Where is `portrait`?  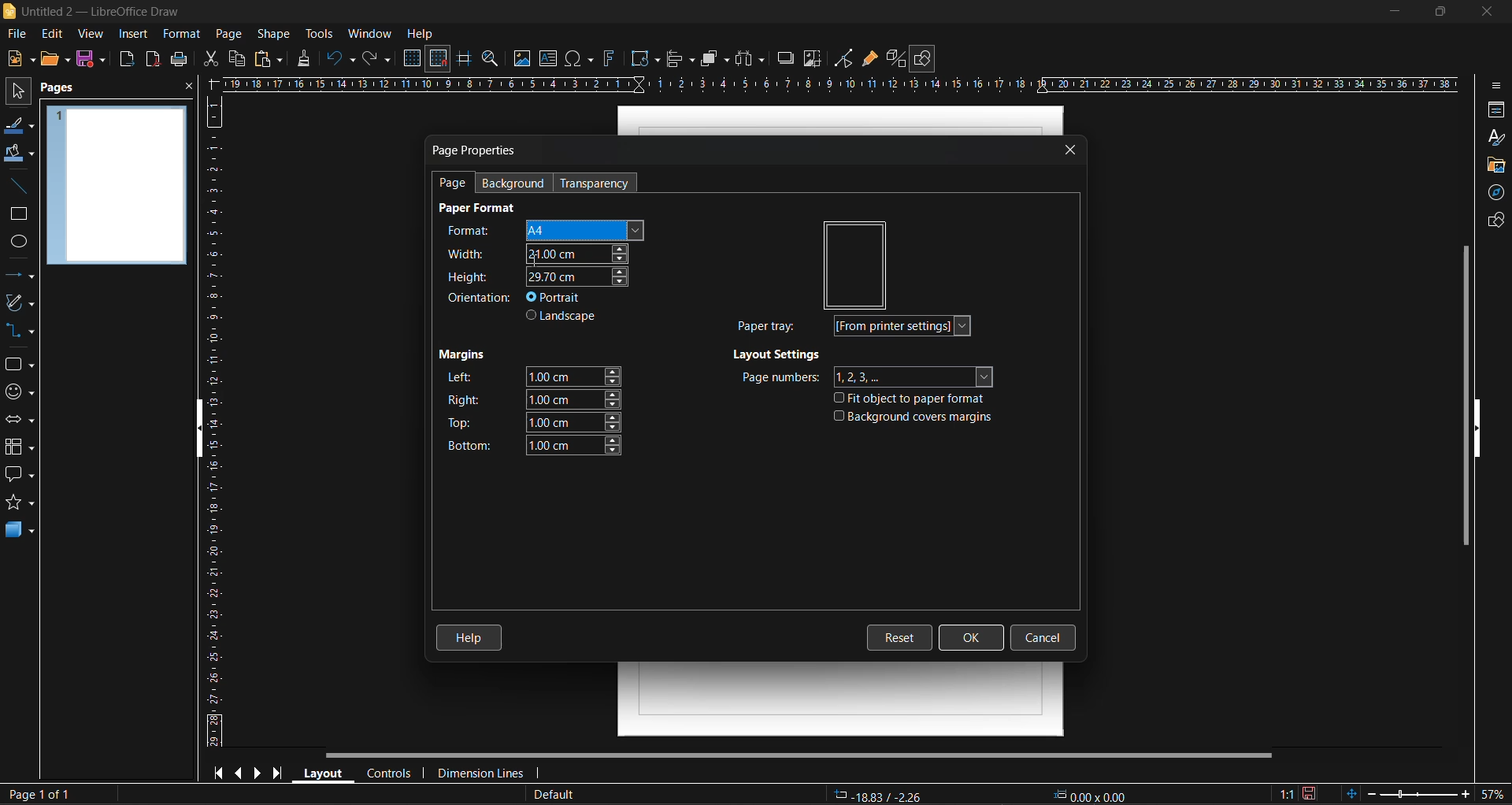 portrait is located at coordinates (558, 297).